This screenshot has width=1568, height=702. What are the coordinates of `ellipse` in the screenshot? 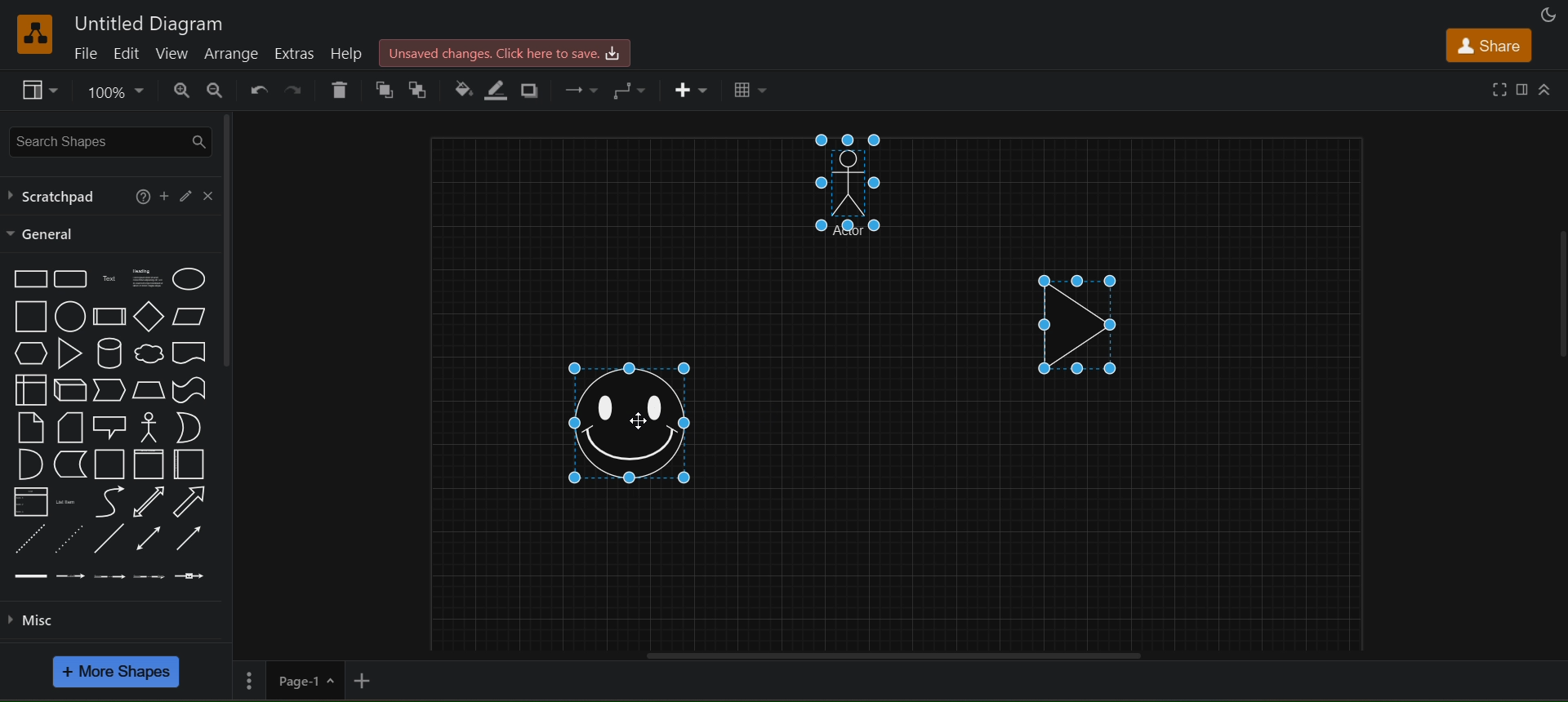 It's located at (188, 279).